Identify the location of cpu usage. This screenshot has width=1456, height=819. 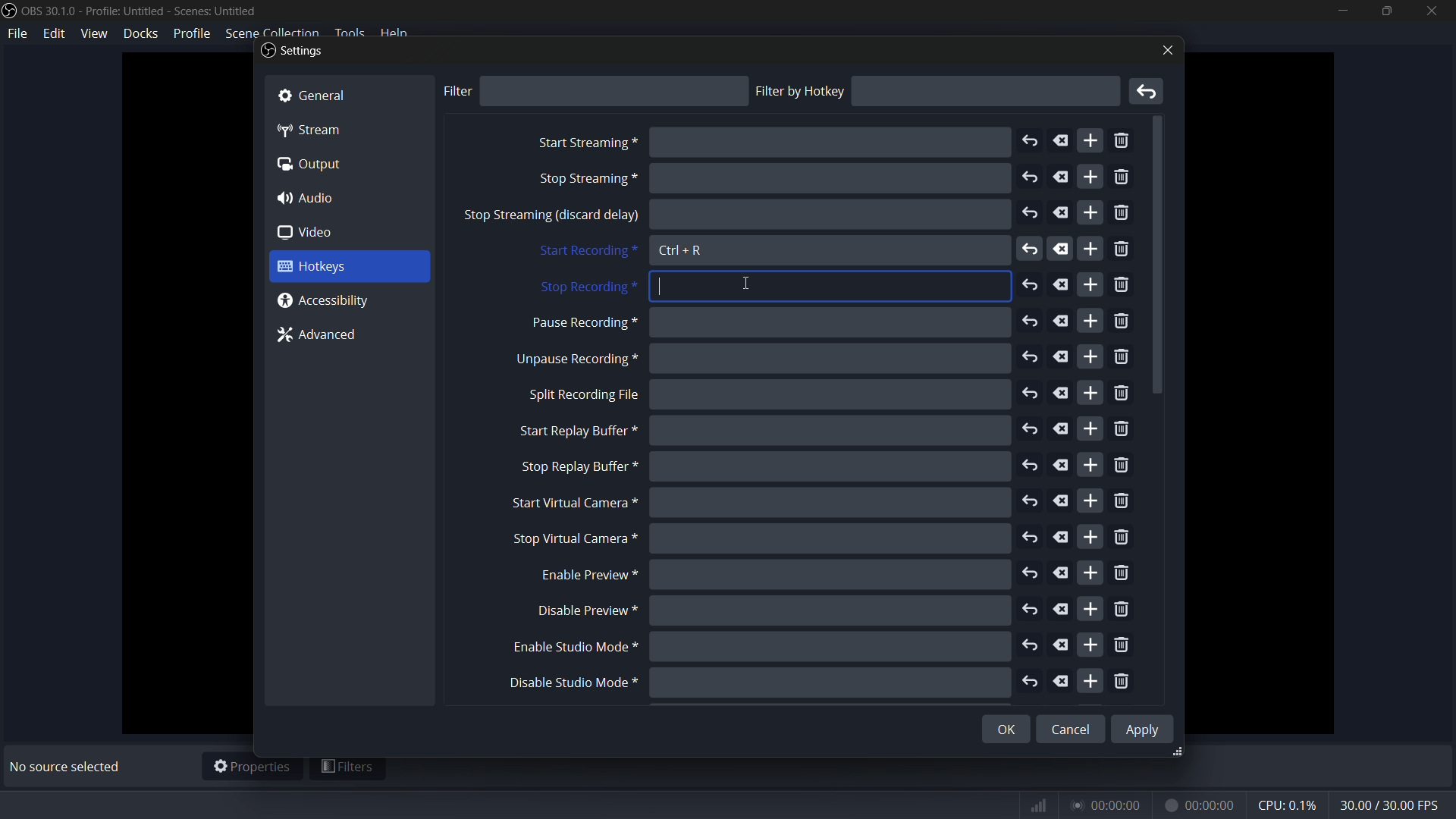
(1289, 805).